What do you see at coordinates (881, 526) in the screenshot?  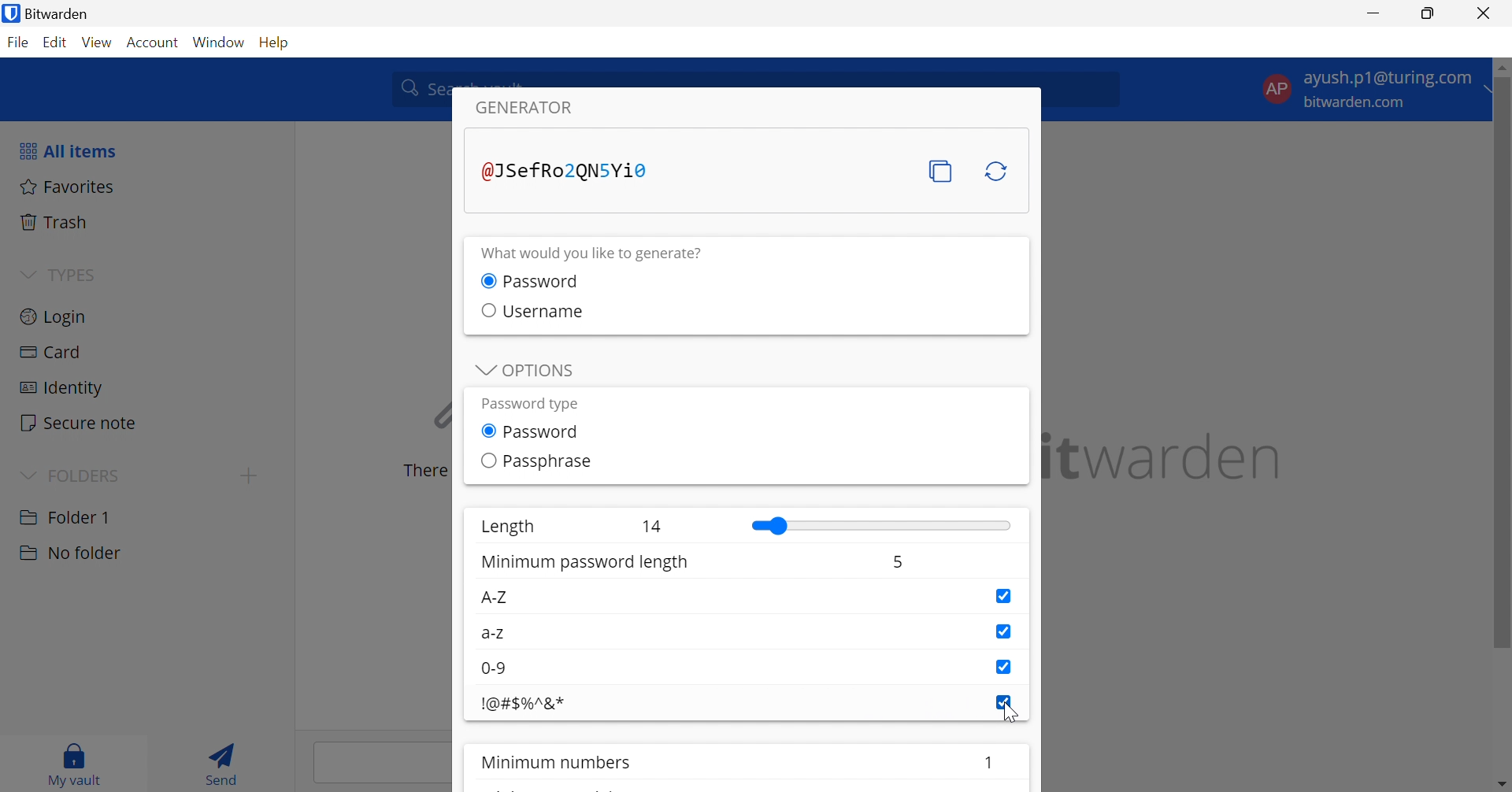 I see `Slider` at bounding box center [881, 526].